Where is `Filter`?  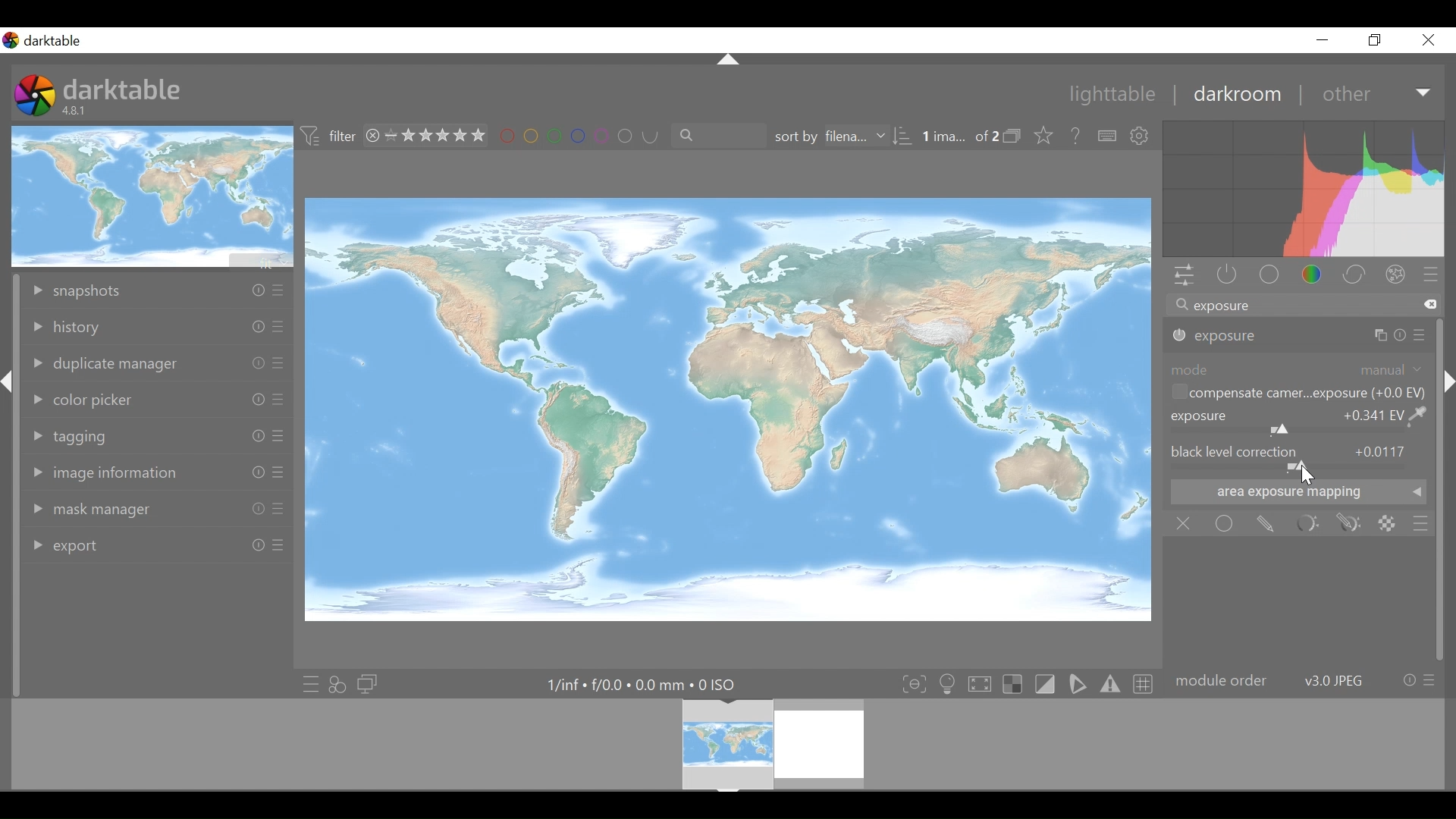
Filter is located at coordinates (331, 137).